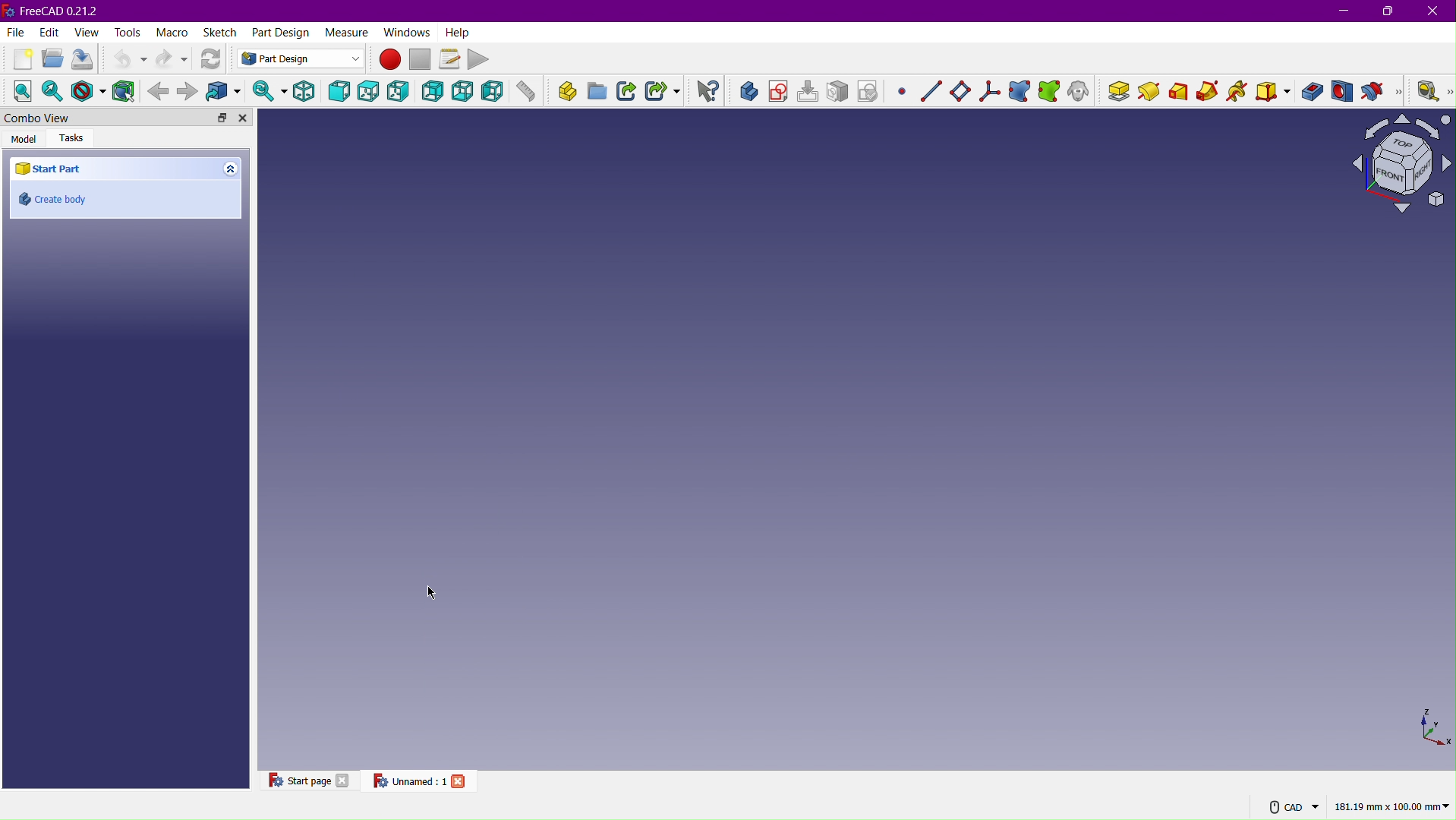 The height and width of the screenshot is (820, 1456). What do you see at coordinates (463, 93) in the screenshot?
I see `Bottom` at bounding box center [463, 93].